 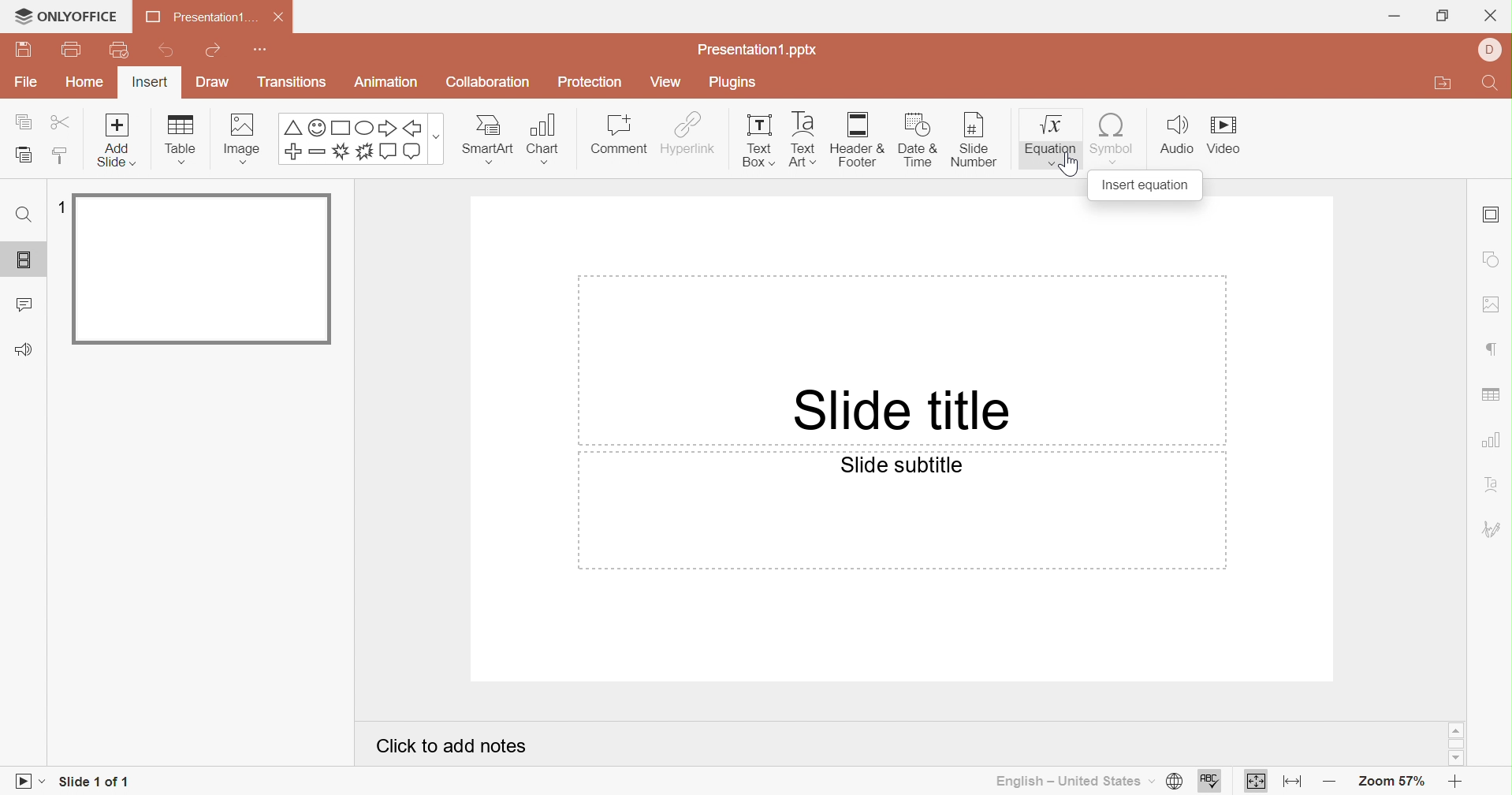 I want to click on Copy style, so click(x=61, y=157).